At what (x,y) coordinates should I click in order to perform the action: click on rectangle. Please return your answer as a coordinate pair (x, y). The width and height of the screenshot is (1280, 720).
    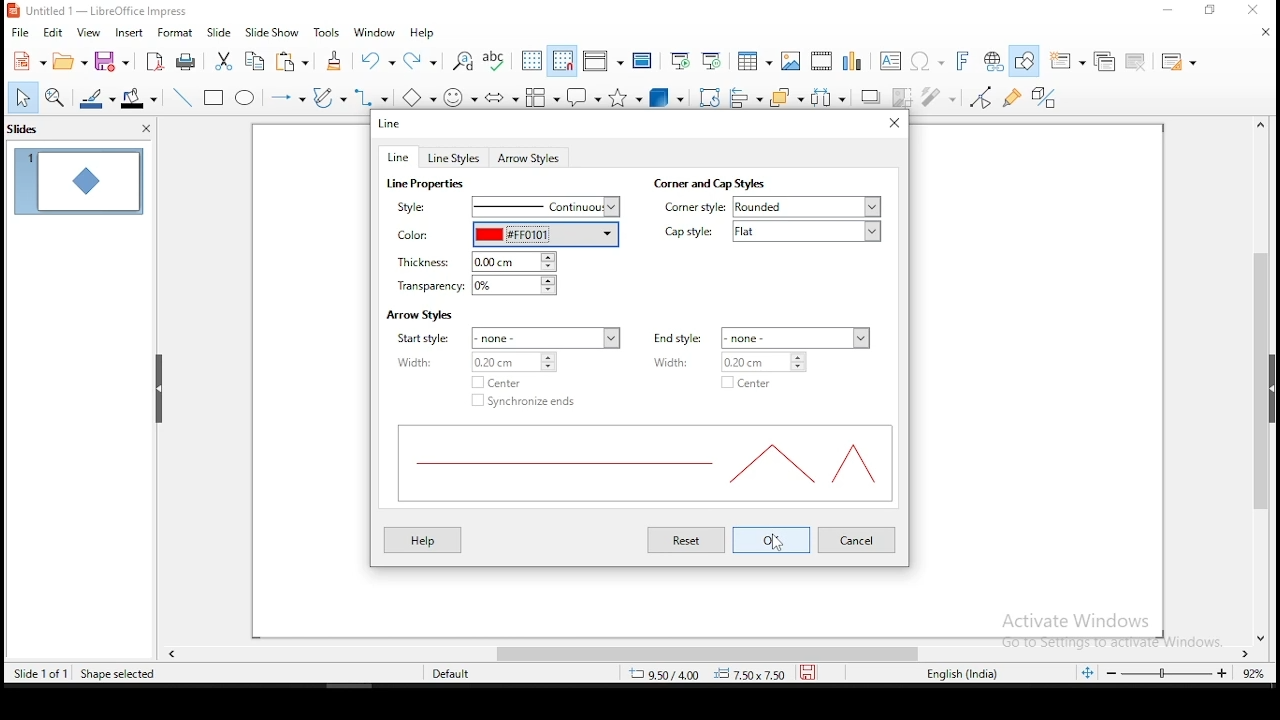
    Looking at the image, I should click on (214, 96).